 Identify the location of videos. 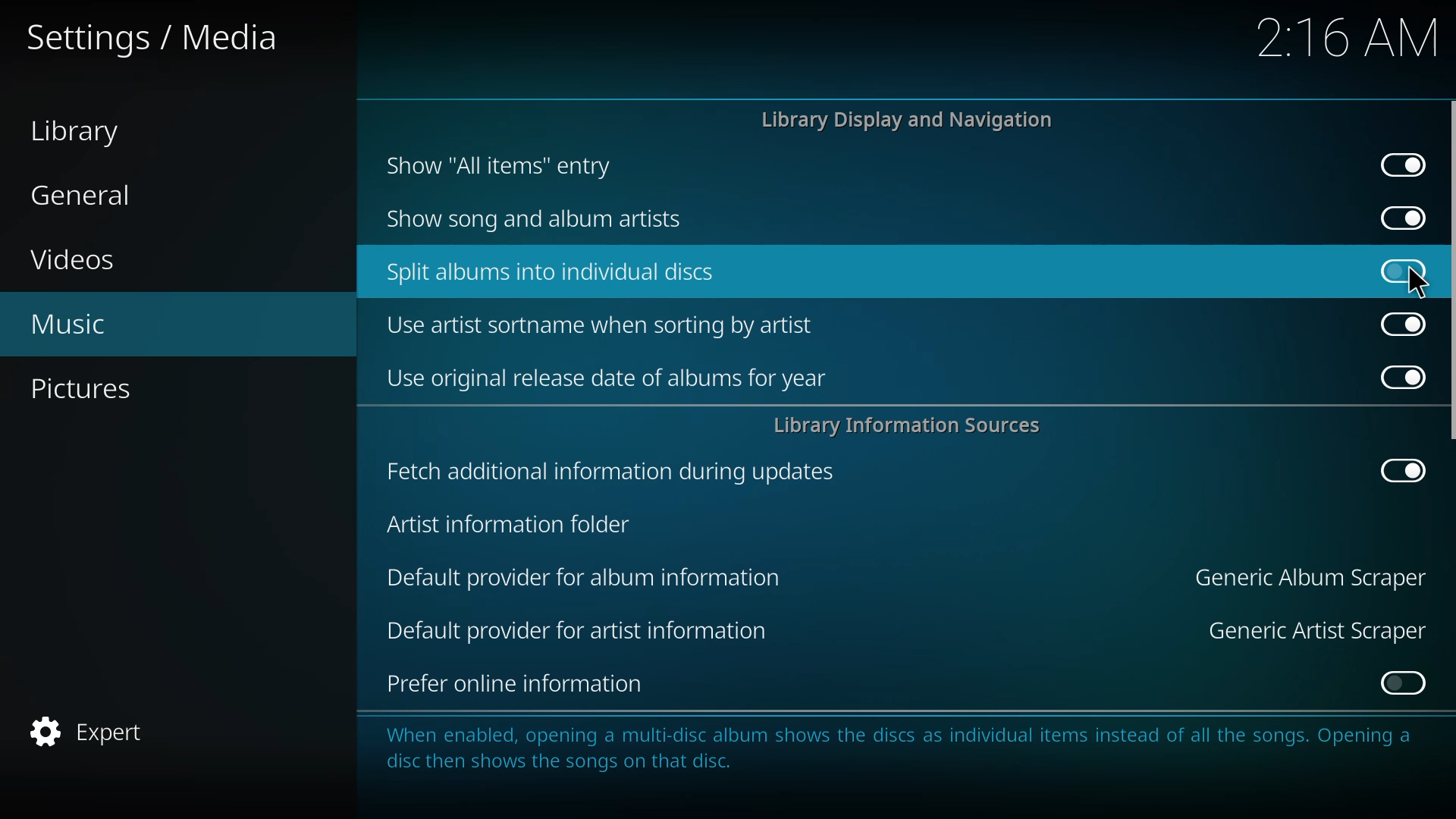
(77, 260).